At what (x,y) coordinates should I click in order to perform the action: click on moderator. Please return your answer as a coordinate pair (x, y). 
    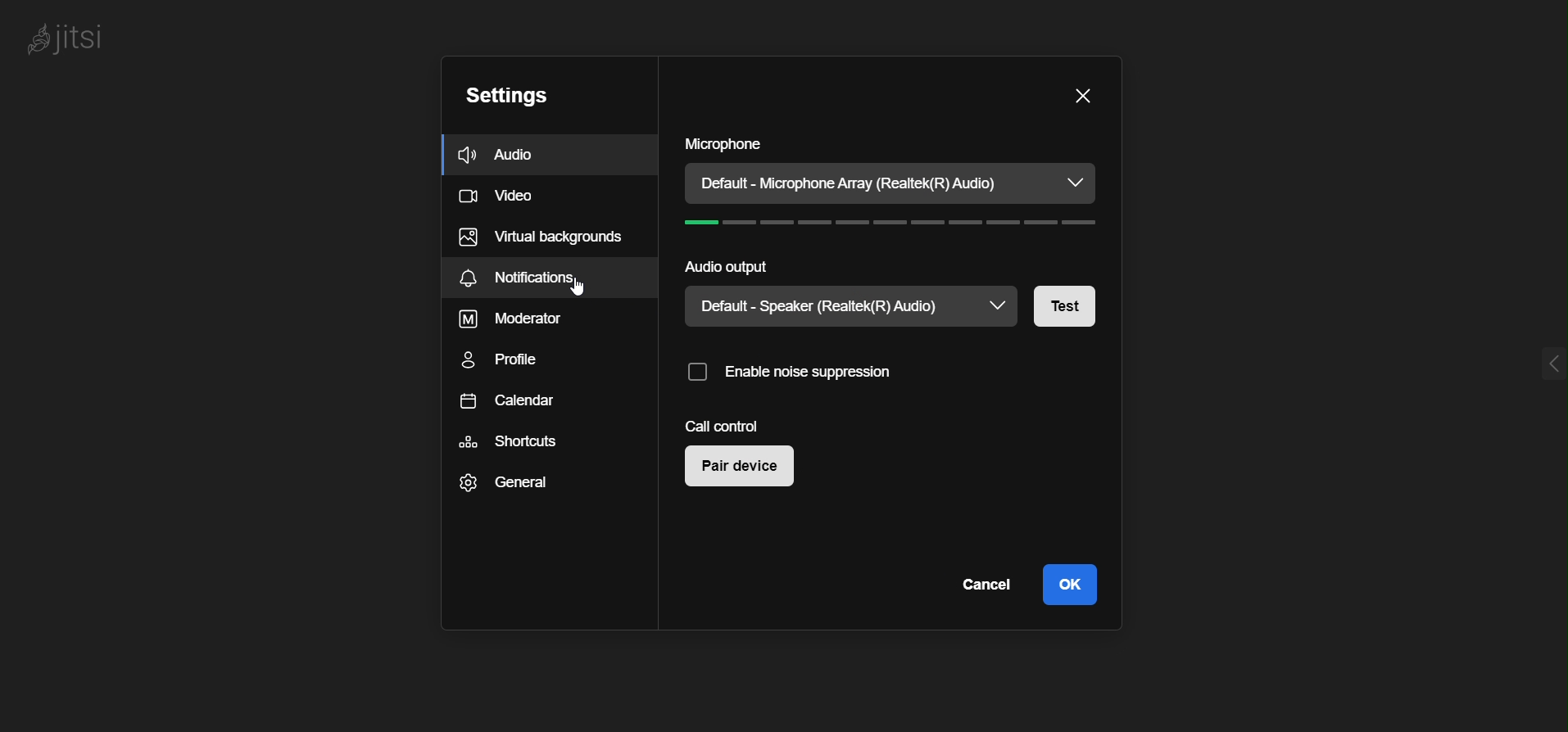
    Looking at the image, I should click on (520, 319).